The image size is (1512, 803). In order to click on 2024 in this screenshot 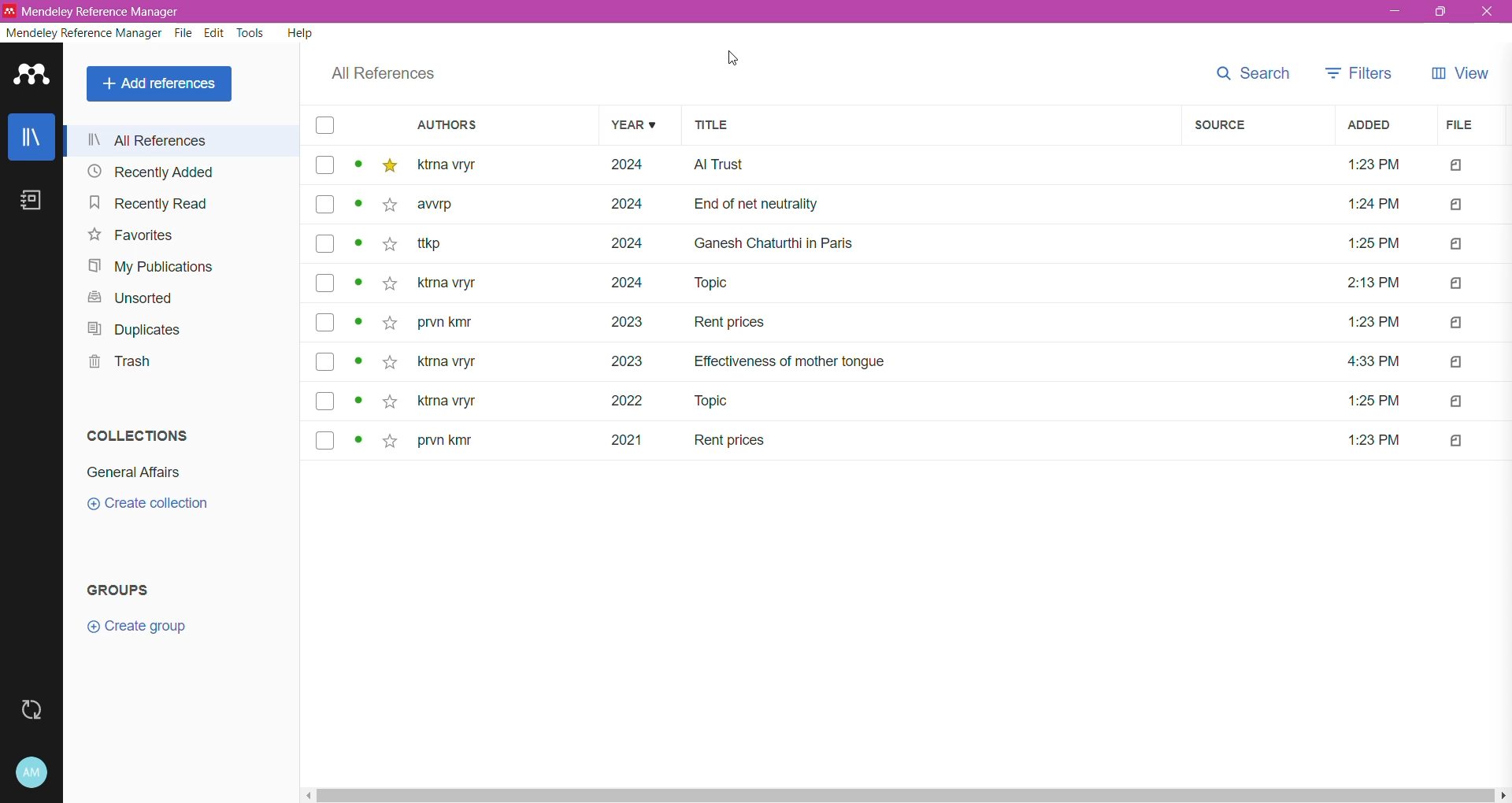, I will do `click(627, 205)`.